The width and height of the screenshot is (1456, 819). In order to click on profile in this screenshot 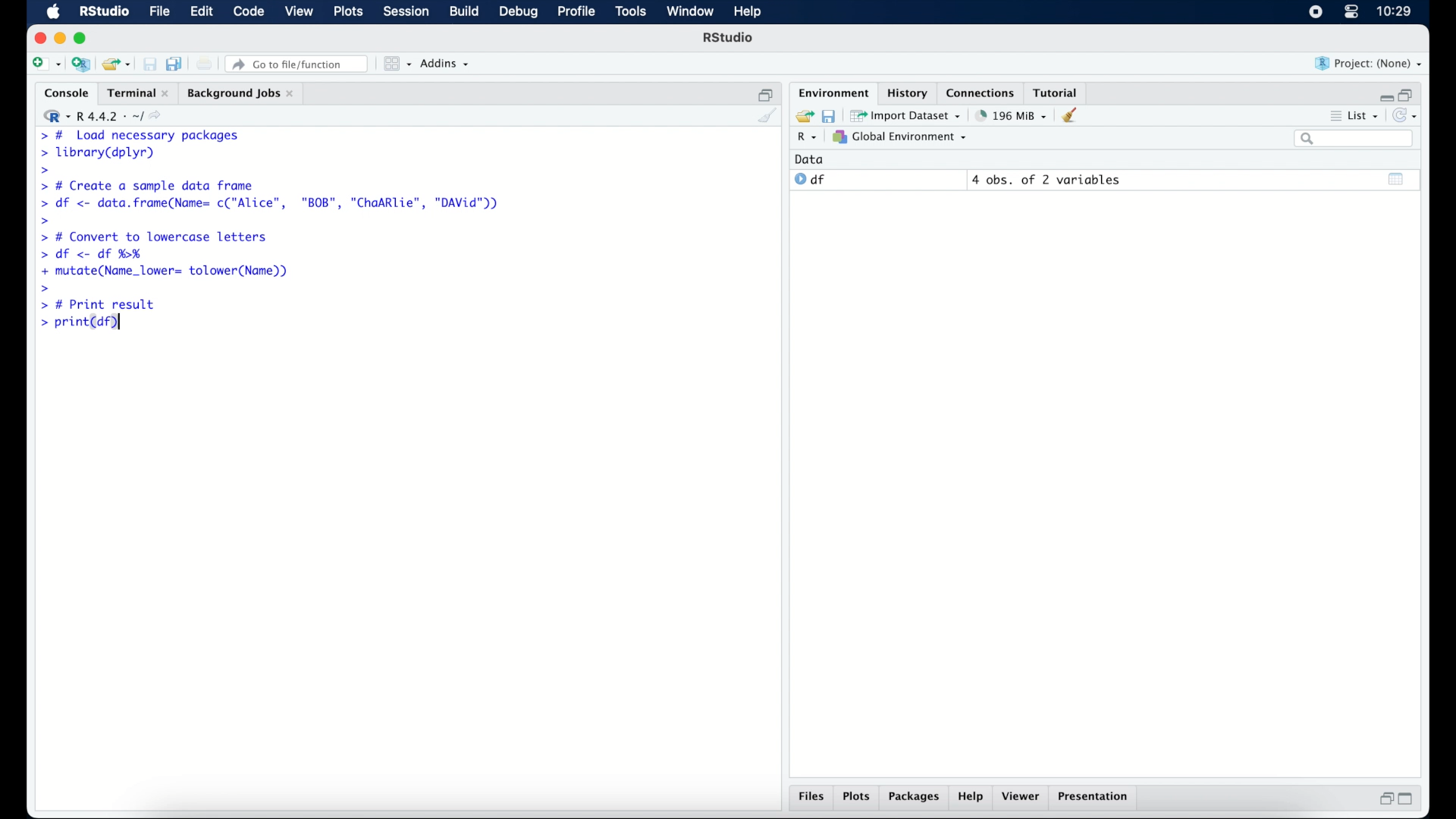, I will do `click(576, 12)`.